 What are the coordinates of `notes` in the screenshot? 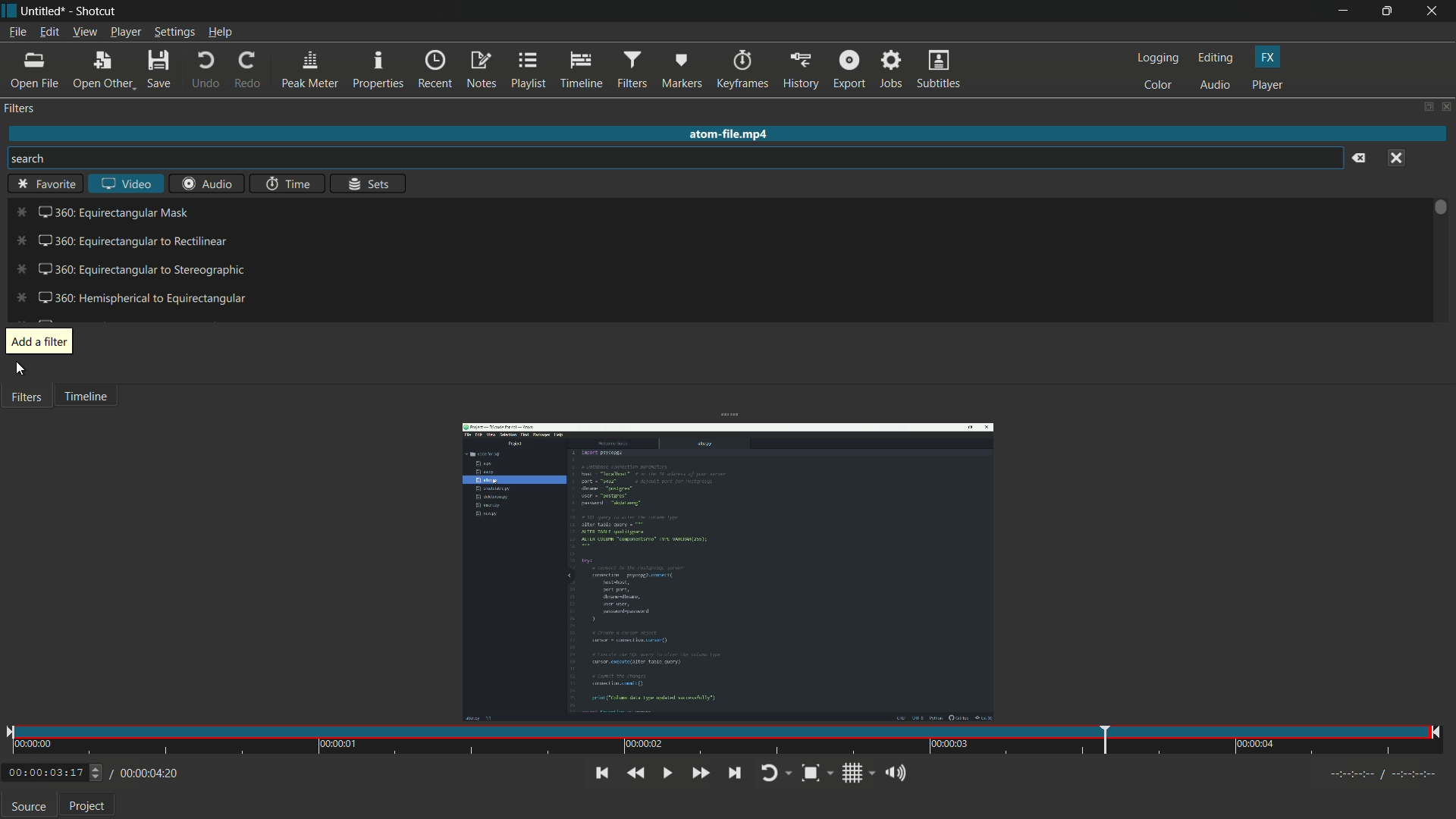 It's located at (480, 71).